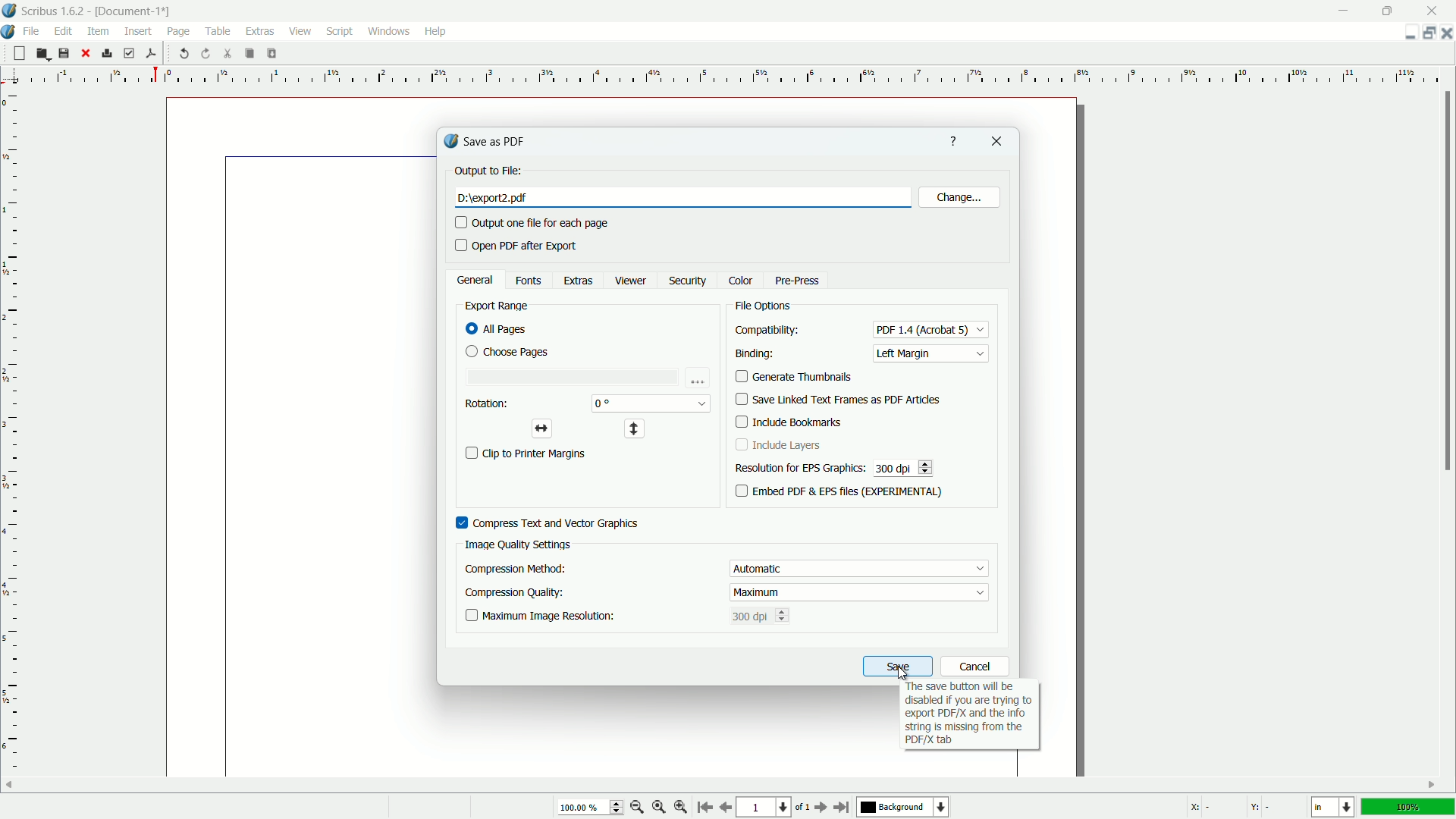  I want to click on cursor, so click(898, 677).